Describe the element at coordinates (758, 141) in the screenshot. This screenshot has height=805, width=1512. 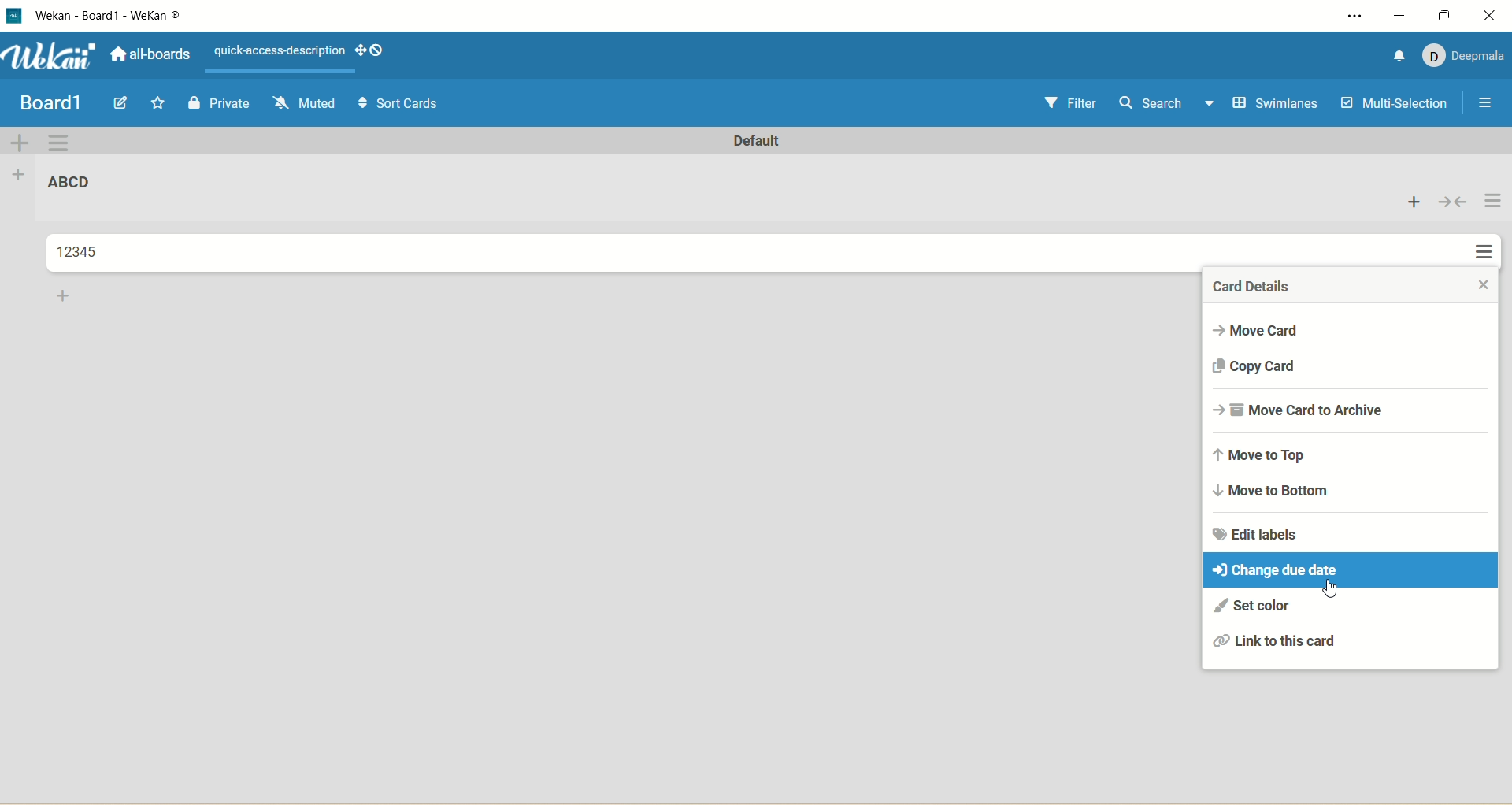
I see `default` at that location.